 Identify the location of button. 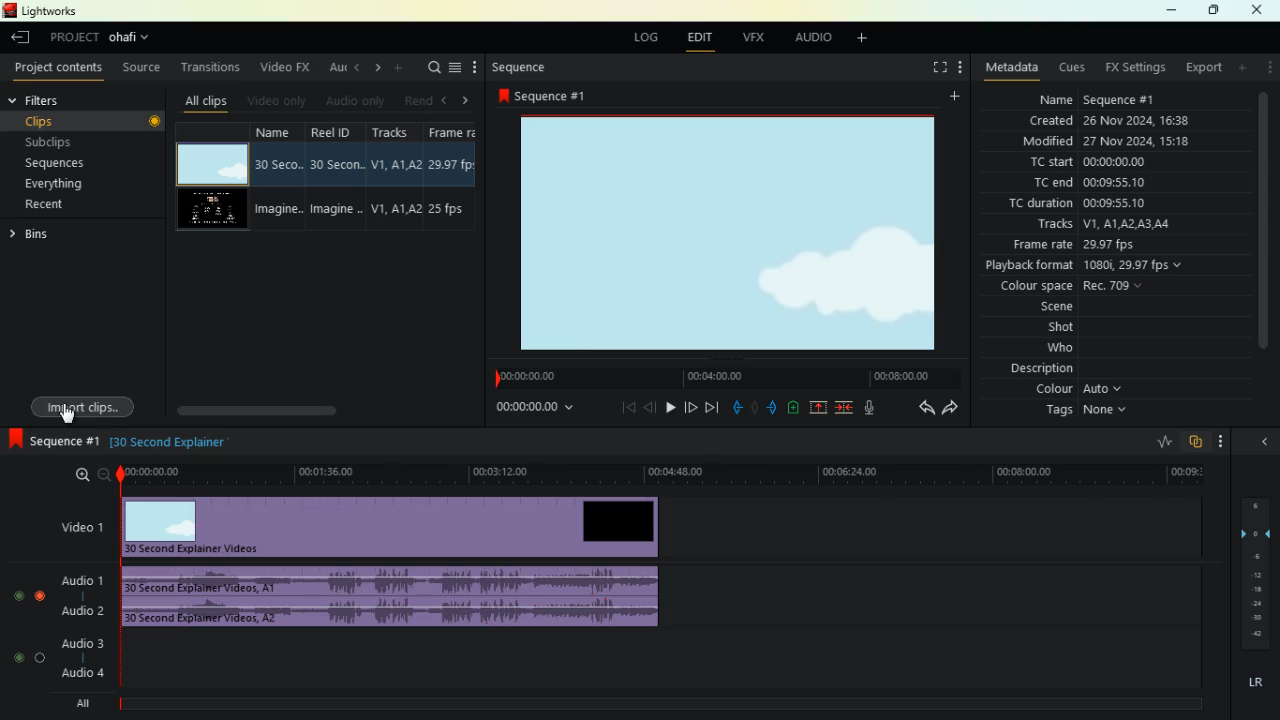
(150, 121).